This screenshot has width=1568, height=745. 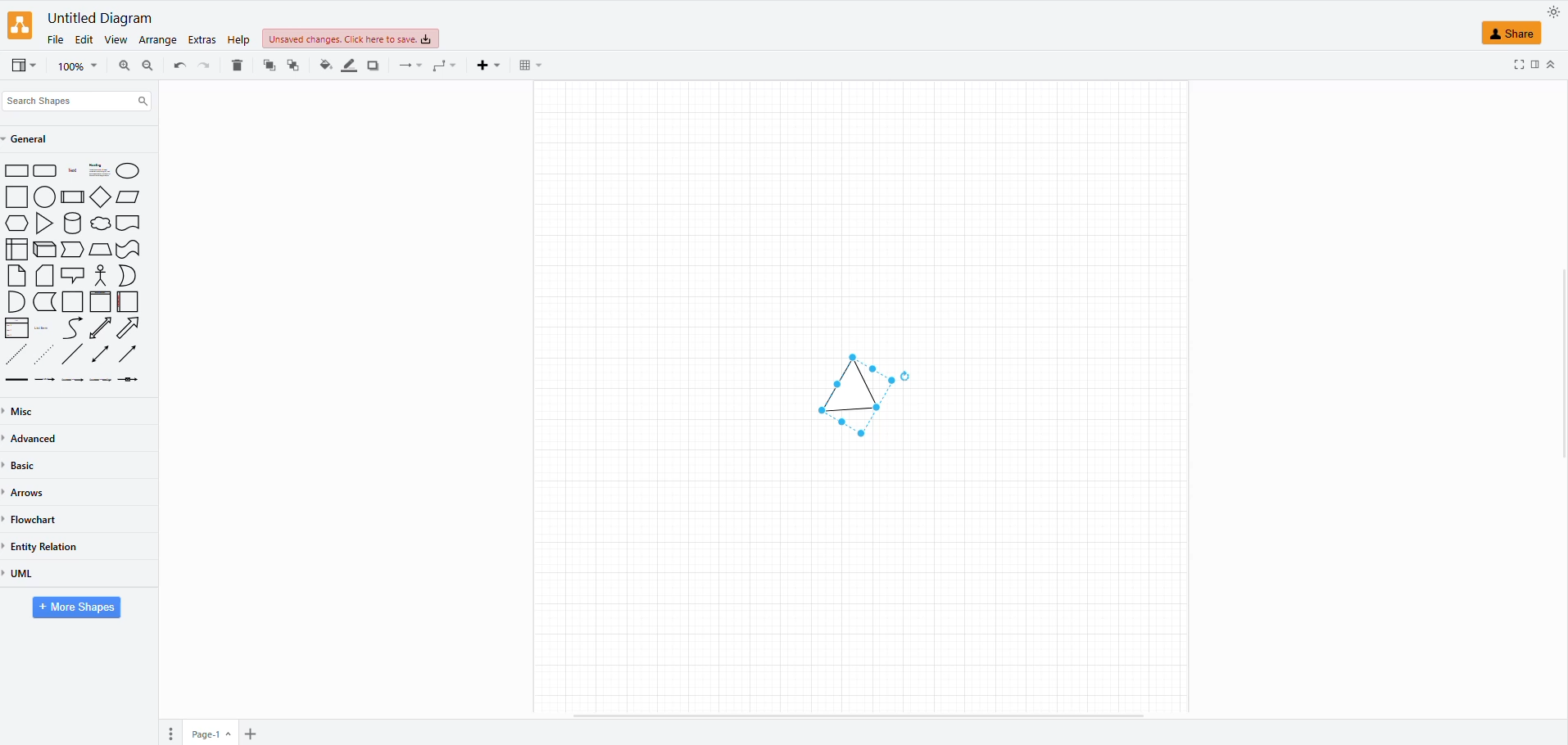 What do you see at coordinates (74, 171) in the screenshot?
I see `Title` at bounding box center [74, 171].